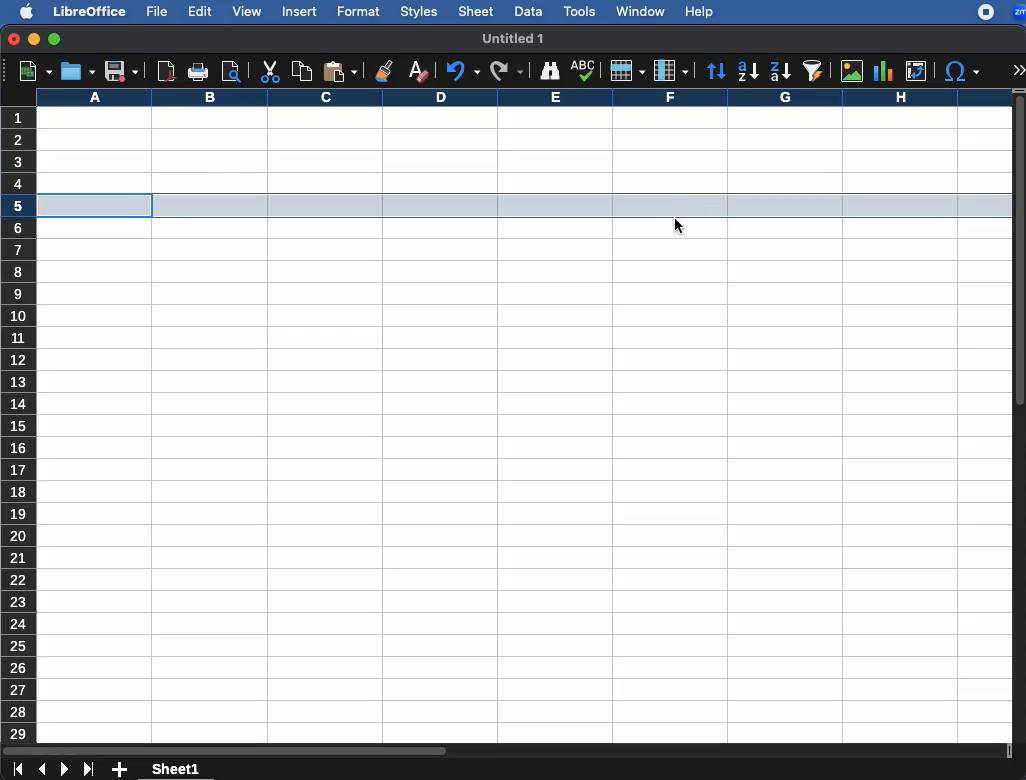  Describe the element at coordinates (175, 771) in the screenshot. I see `sheet1` at that location.